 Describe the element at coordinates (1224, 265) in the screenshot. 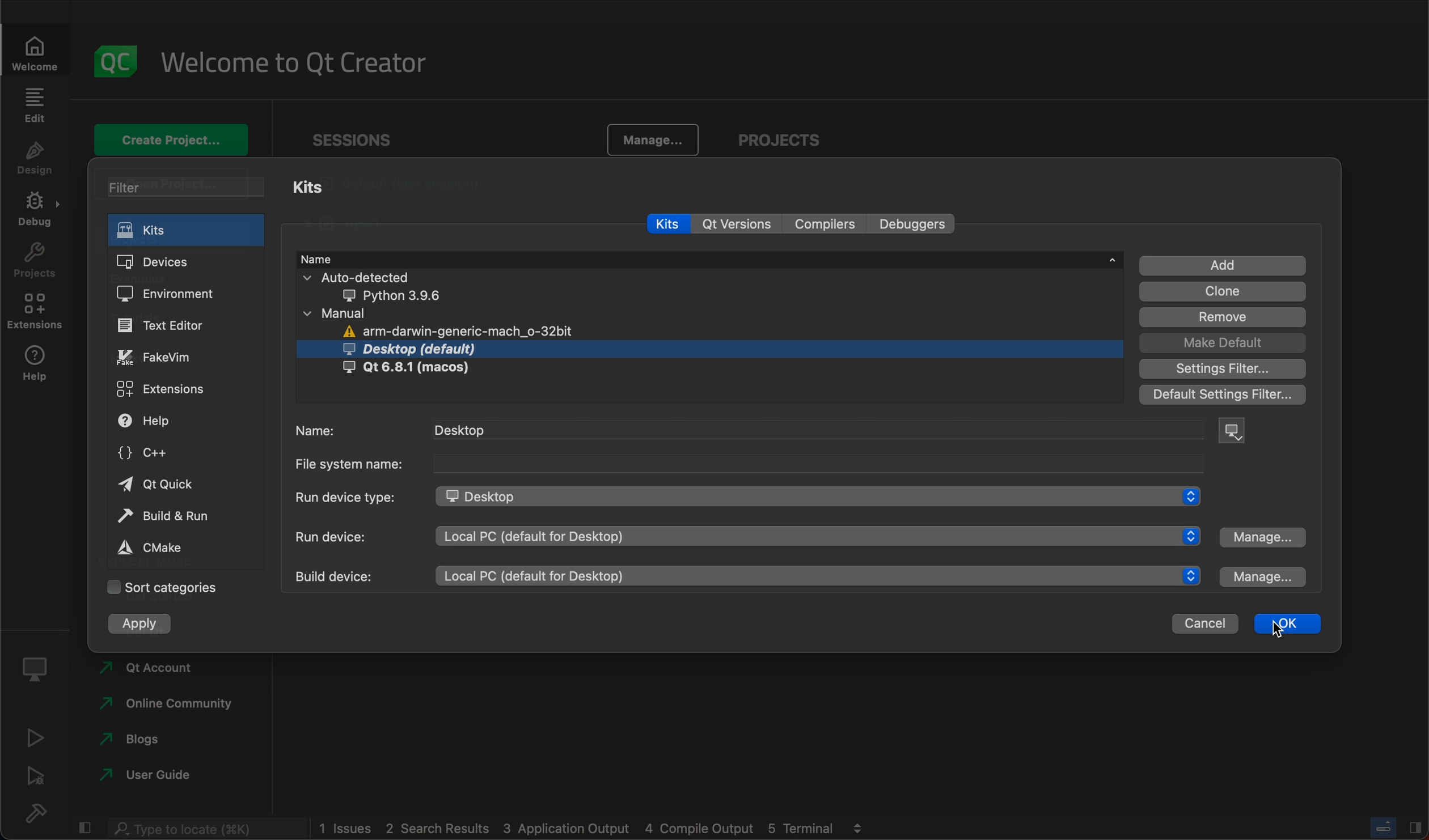

I see `add` at that location.